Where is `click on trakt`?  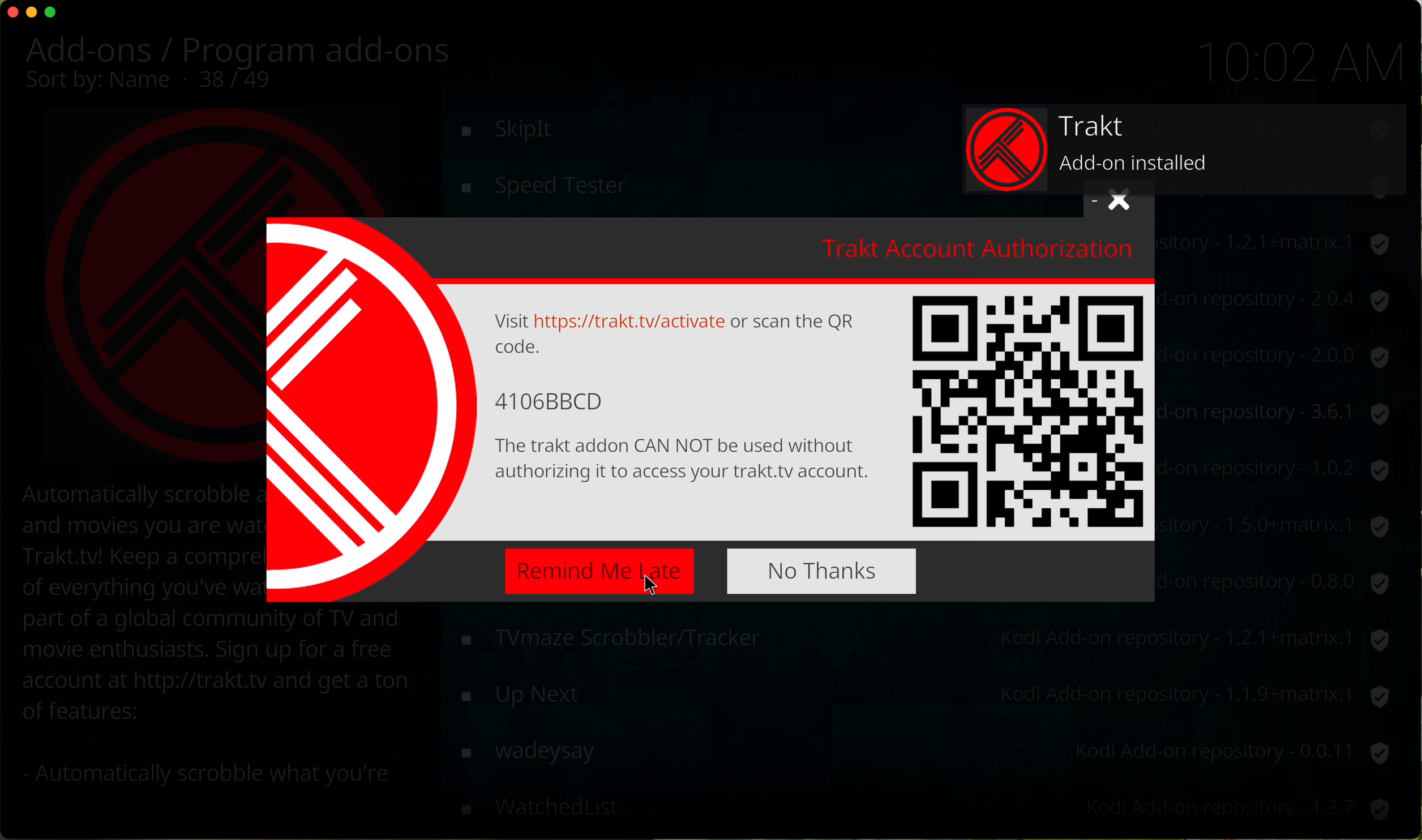
click on trakt is located at coordinates (703, 189).